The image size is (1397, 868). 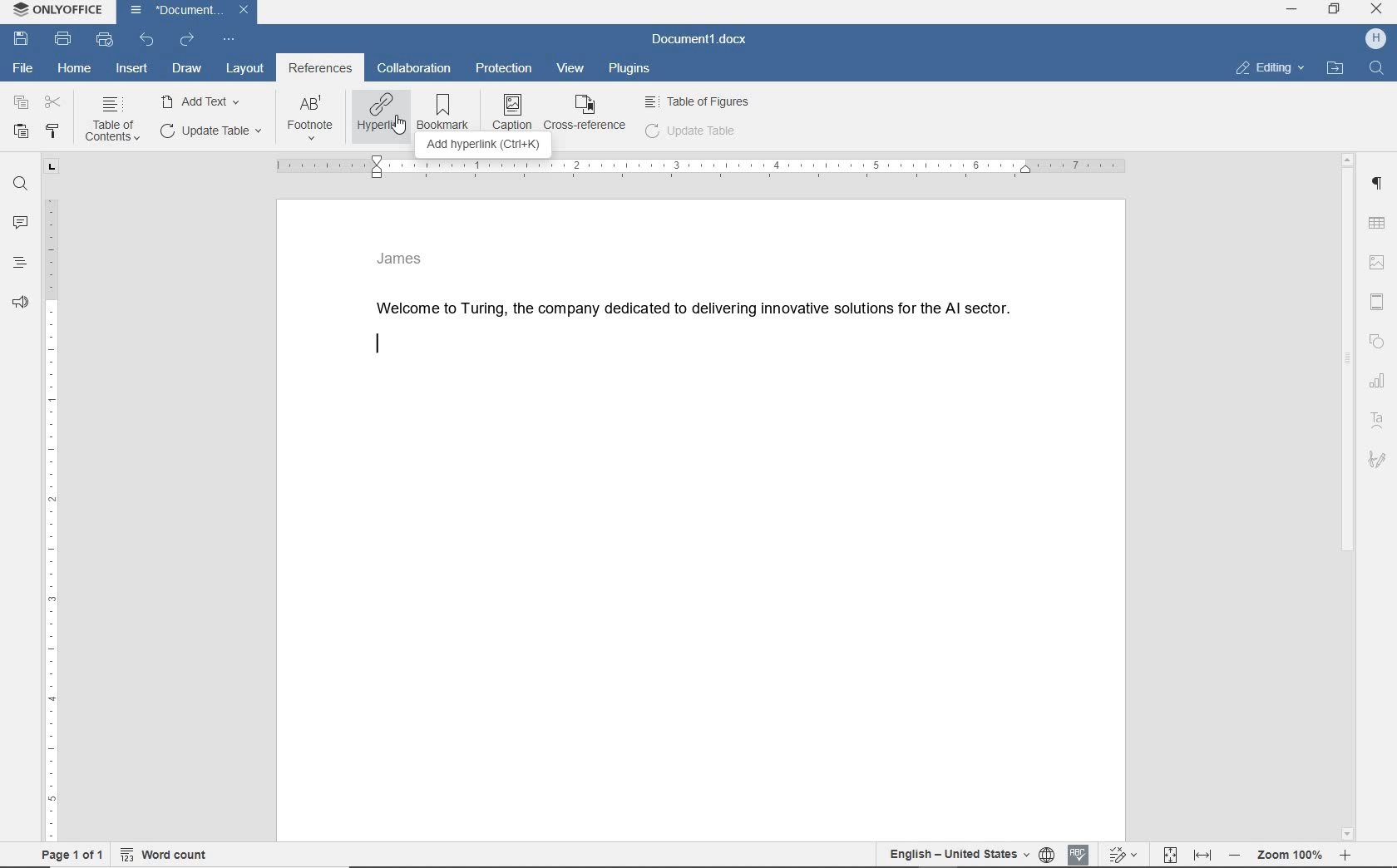 I want to click on Minimize, so click(x=1294, y=13).